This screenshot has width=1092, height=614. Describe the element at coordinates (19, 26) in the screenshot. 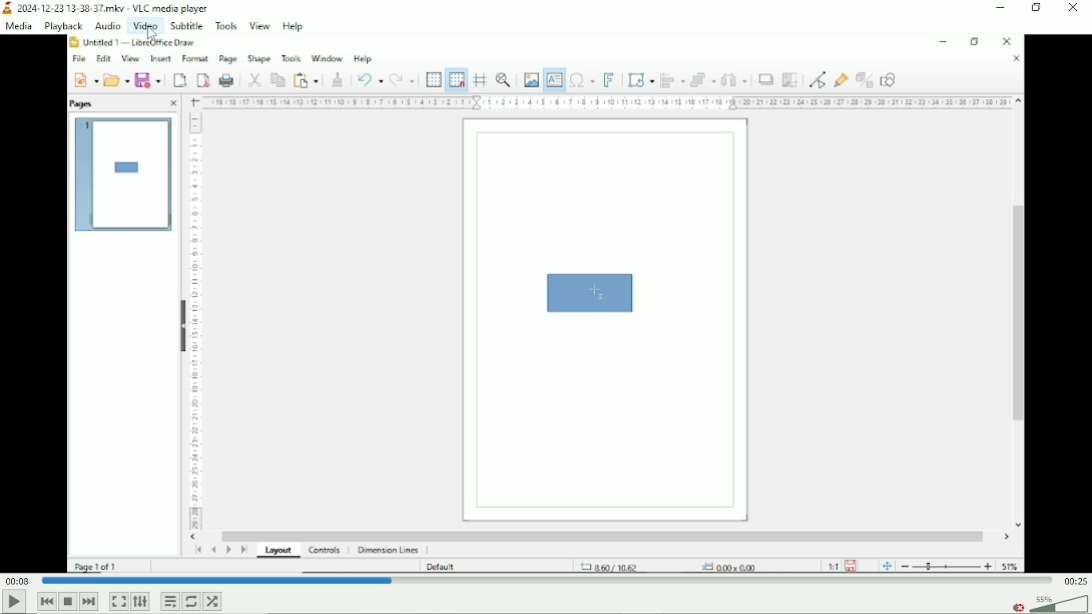

I see `Media` at that location.